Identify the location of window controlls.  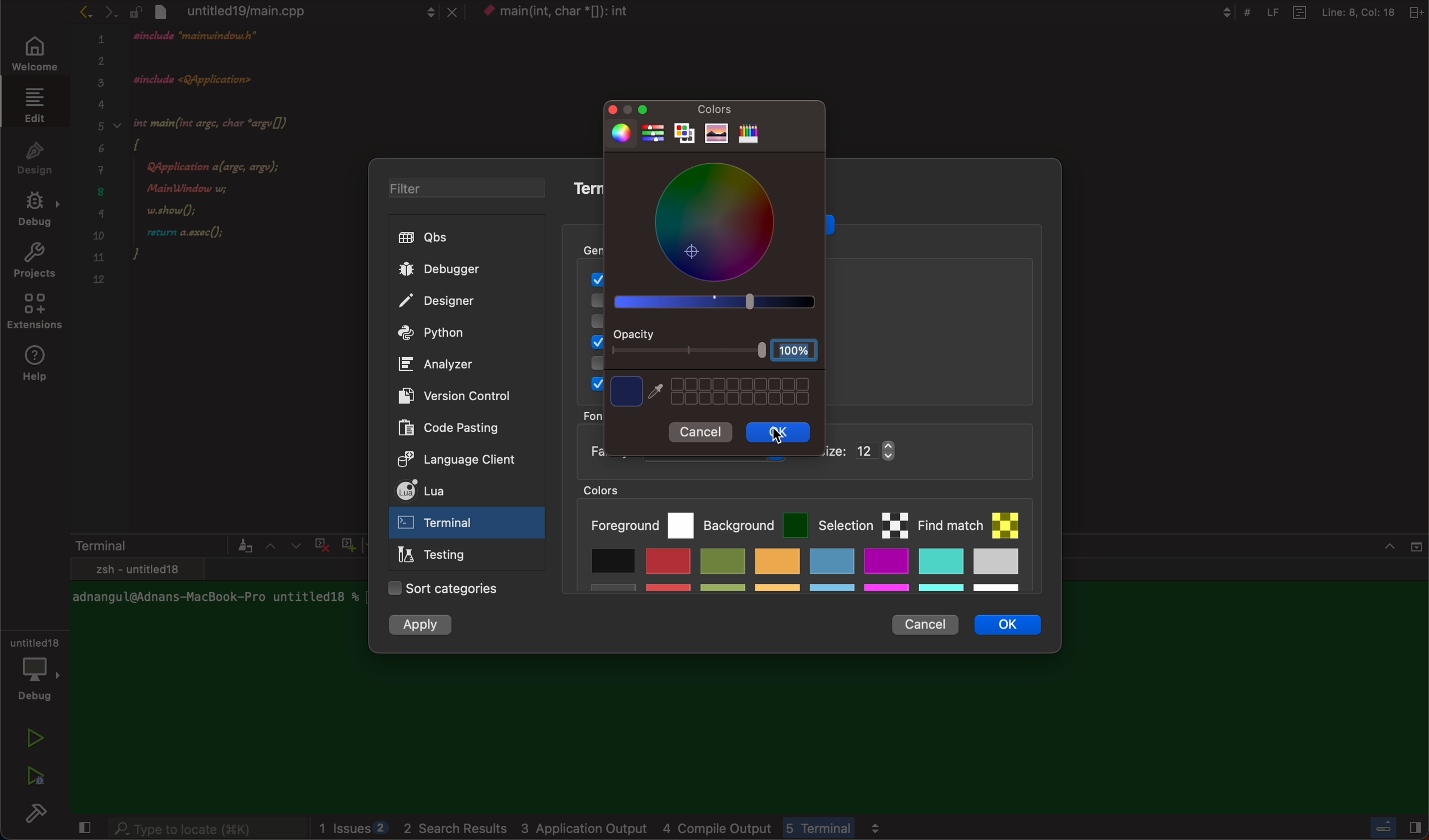
(636, 109).